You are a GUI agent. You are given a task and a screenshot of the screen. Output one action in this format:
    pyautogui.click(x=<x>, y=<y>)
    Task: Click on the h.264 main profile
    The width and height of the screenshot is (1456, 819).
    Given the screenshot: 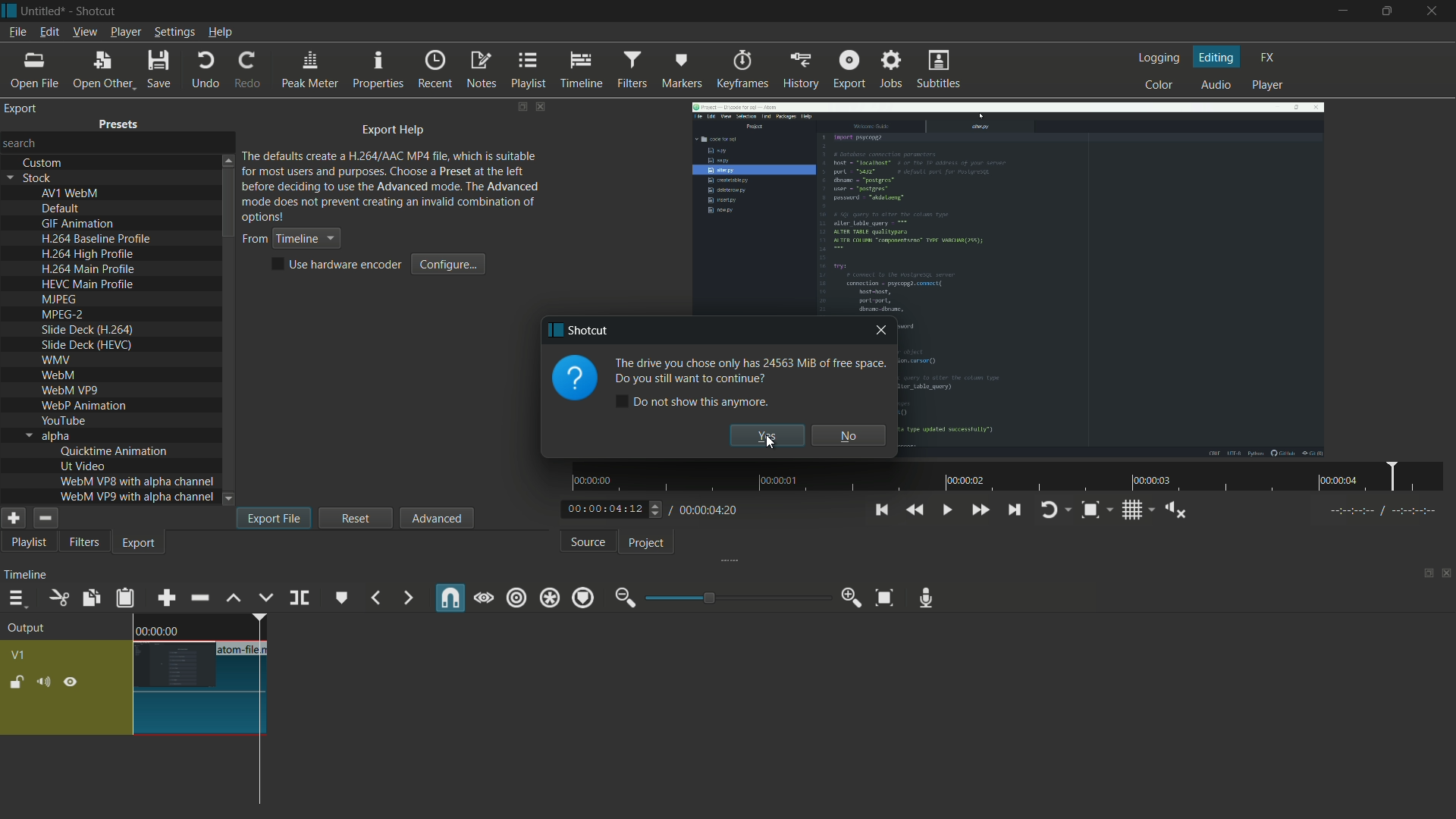 What is the action you would take?
    pyautogui.click(x=88, y=270)
    